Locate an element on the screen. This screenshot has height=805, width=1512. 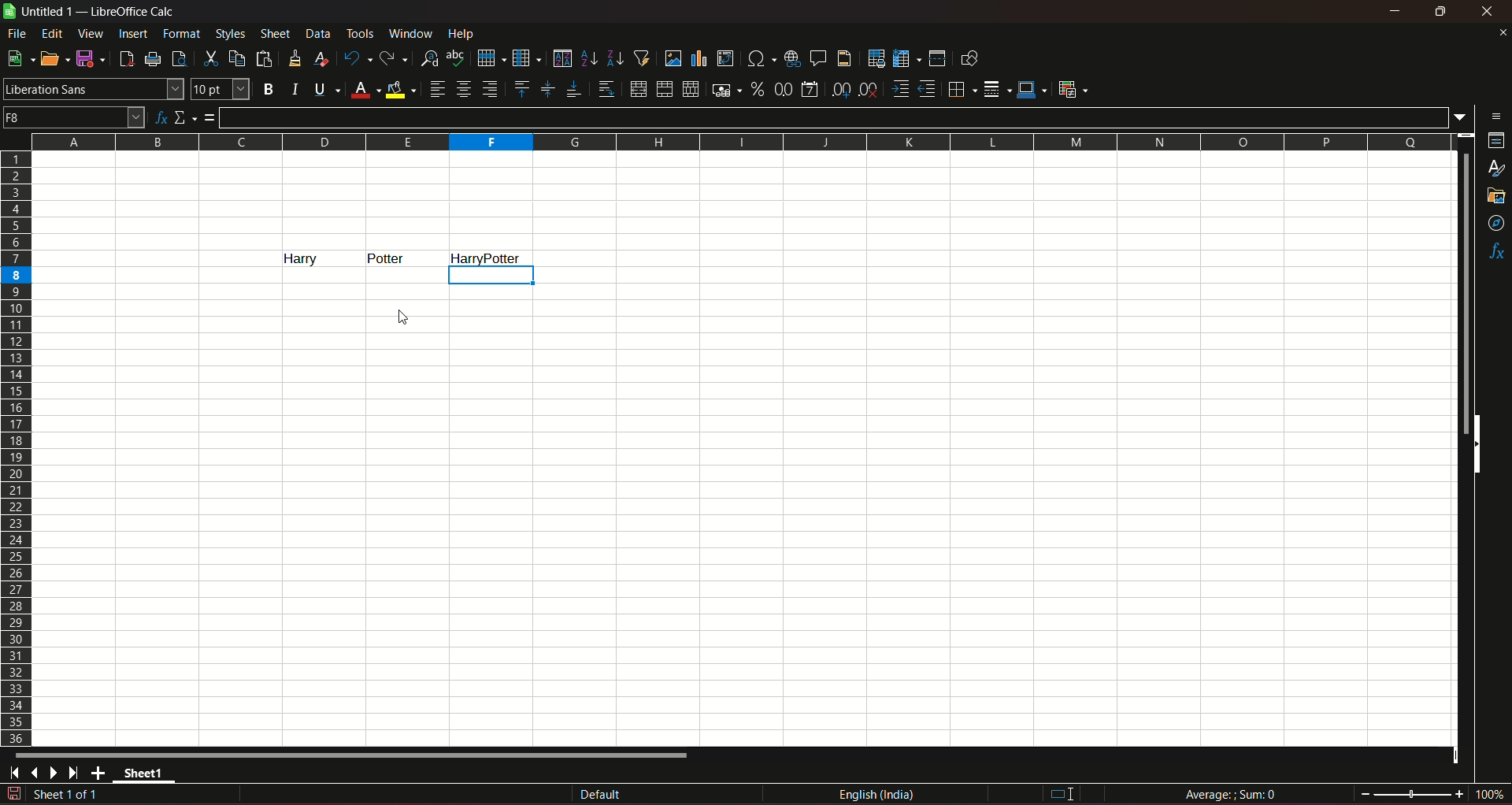
help is located at coordinates (465, 33).